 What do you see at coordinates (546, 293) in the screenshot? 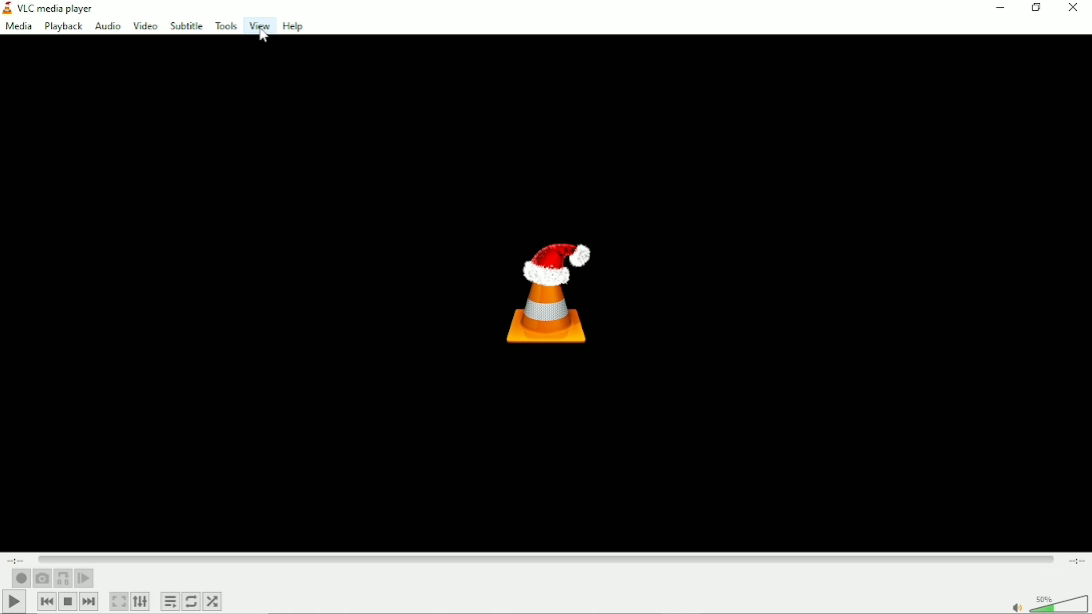
I see `vlc Logo` at bounding box center [546, 293].